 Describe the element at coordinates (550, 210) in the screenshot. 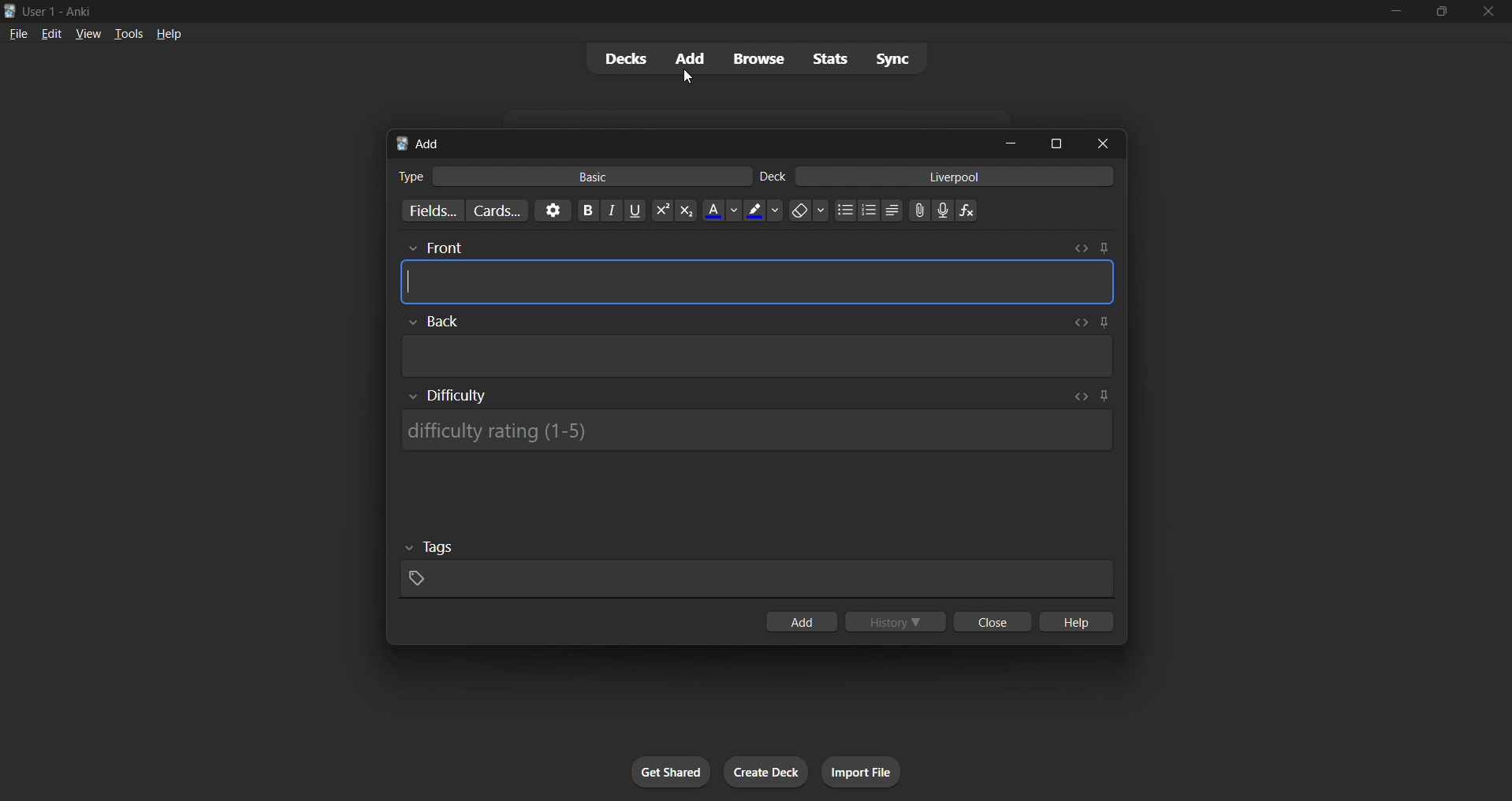

I see `options` at that location.